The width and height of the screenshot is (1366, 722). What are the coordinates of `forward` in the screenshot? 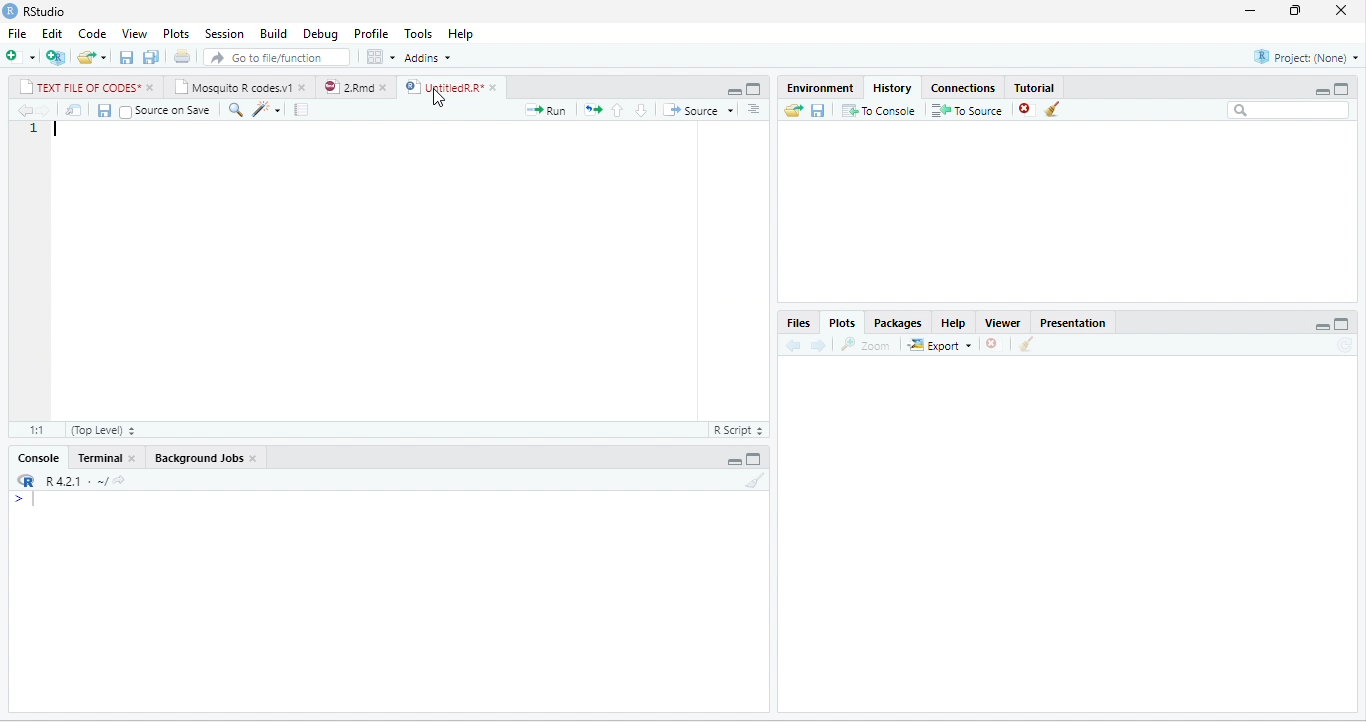 It's located at (44, 110).